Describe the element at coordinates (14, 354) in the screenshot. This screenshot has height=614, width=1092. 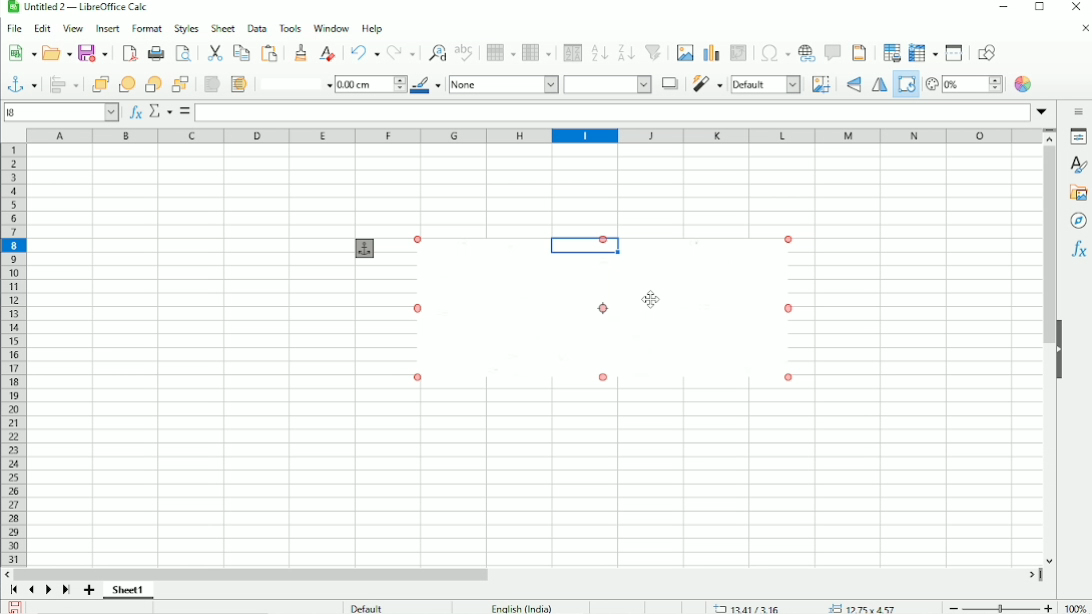
I see `Row headings` at that location.